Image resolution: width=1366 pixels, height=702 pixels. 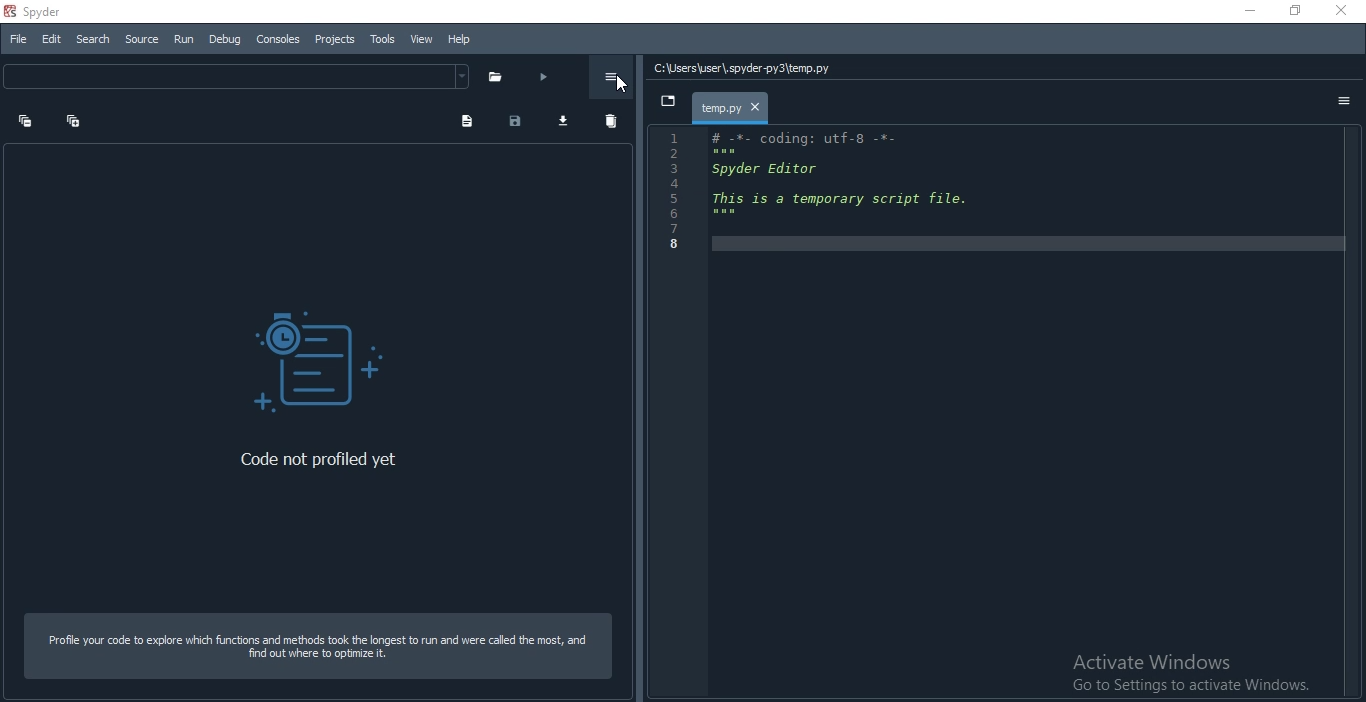 What do you see at coordinates (732, 107) in the screenshot?
I see `file tab` at bounding box center [732, 107].